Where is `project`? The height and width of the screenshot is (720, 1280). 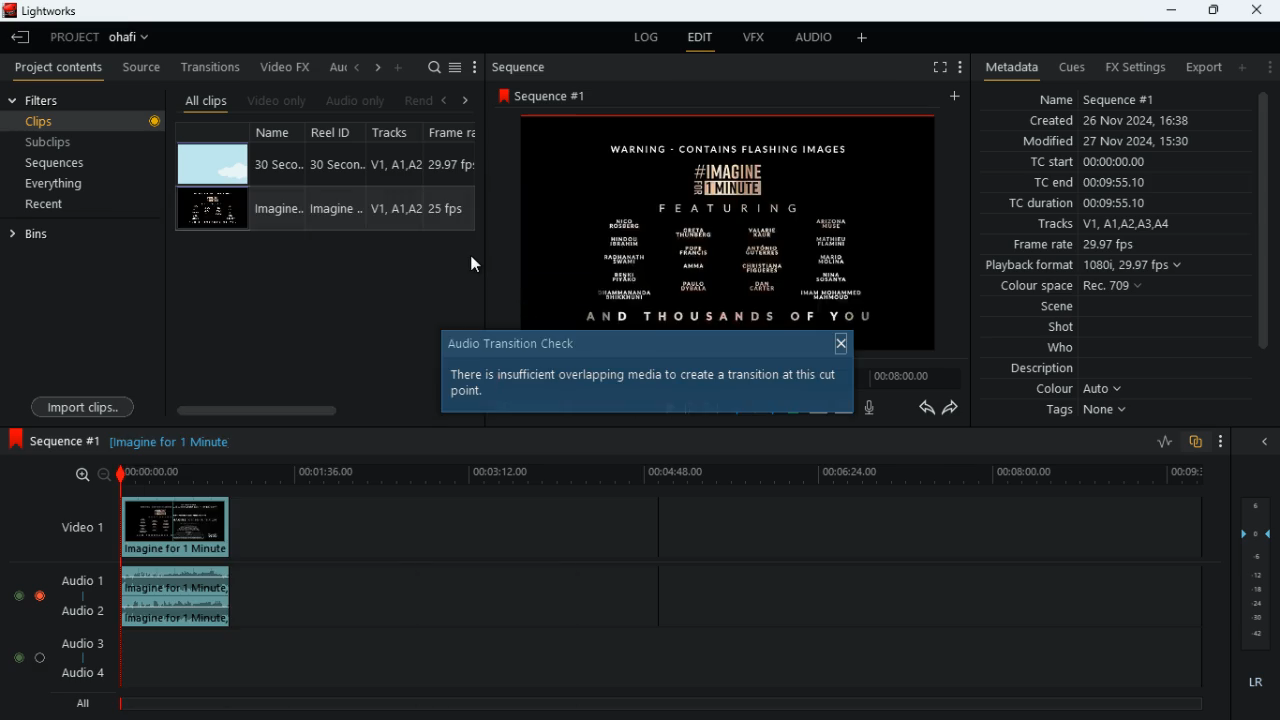 project is located at coordinates (104, 37).